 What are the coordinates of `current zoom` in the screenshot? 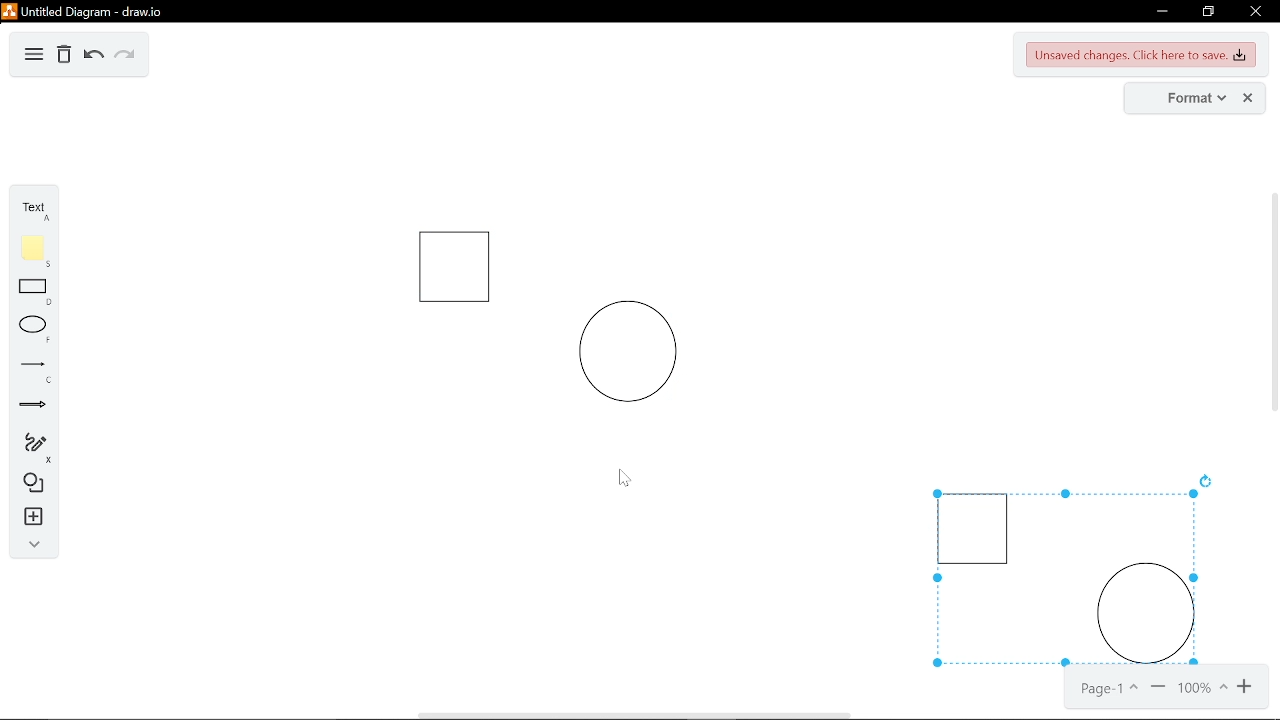 It's located at (1201, 689).